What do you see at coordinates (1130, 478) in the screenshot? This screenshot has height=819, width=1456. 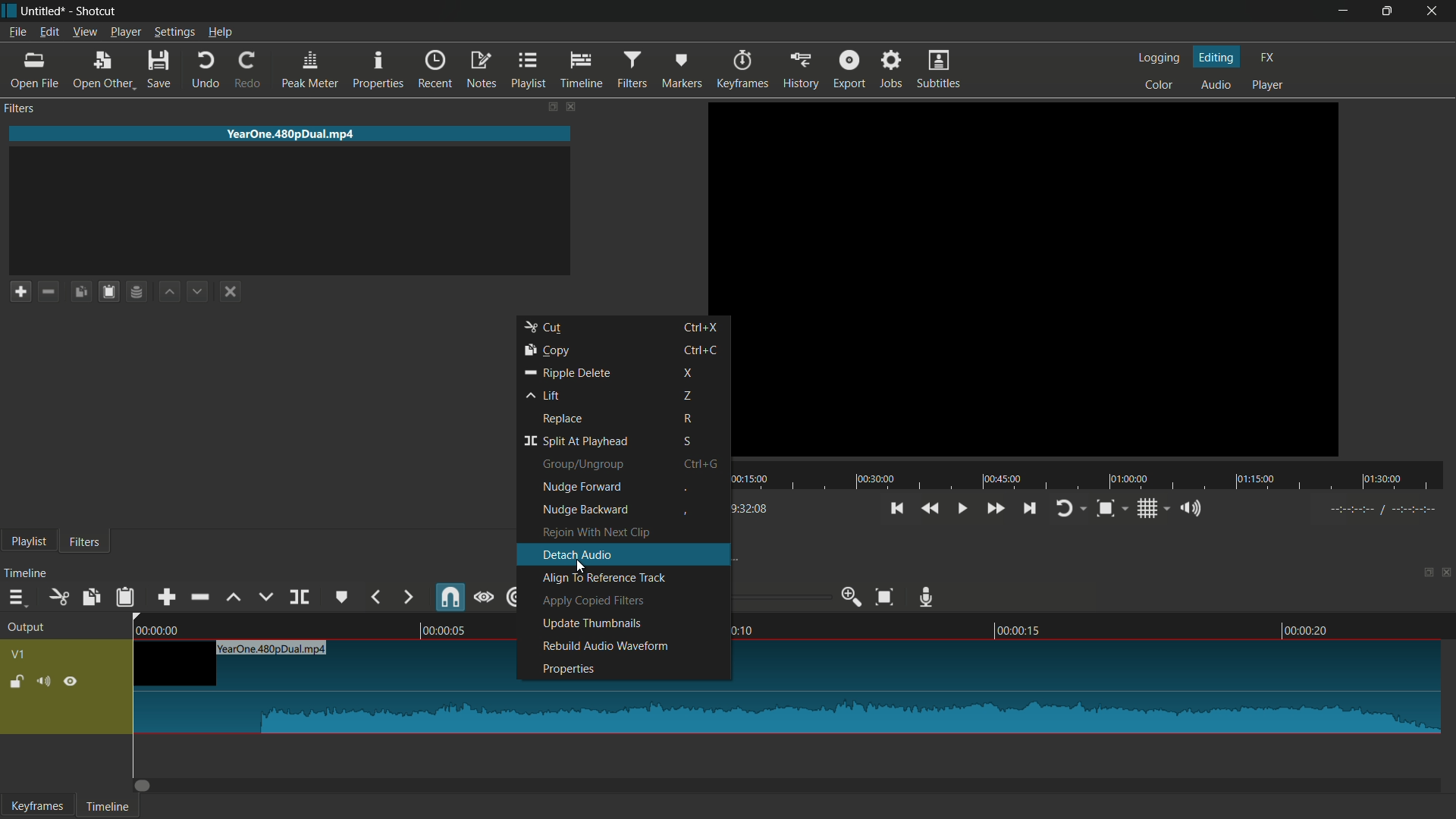 I see `01:00:00` at bounding box center [1130, 478].